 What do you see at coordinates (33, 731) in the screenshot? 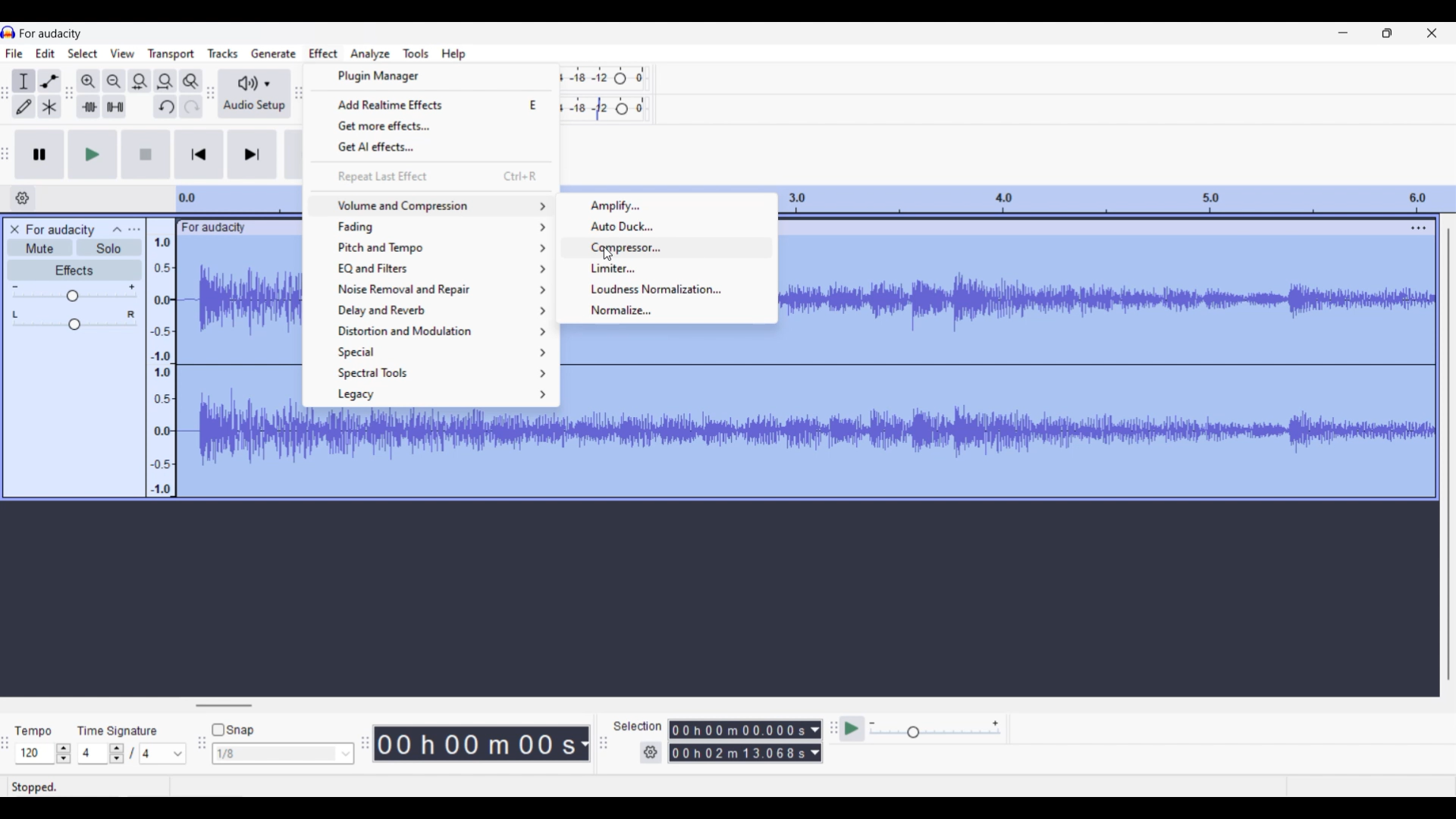
I see `tempo` at bounding box center [33, 731].